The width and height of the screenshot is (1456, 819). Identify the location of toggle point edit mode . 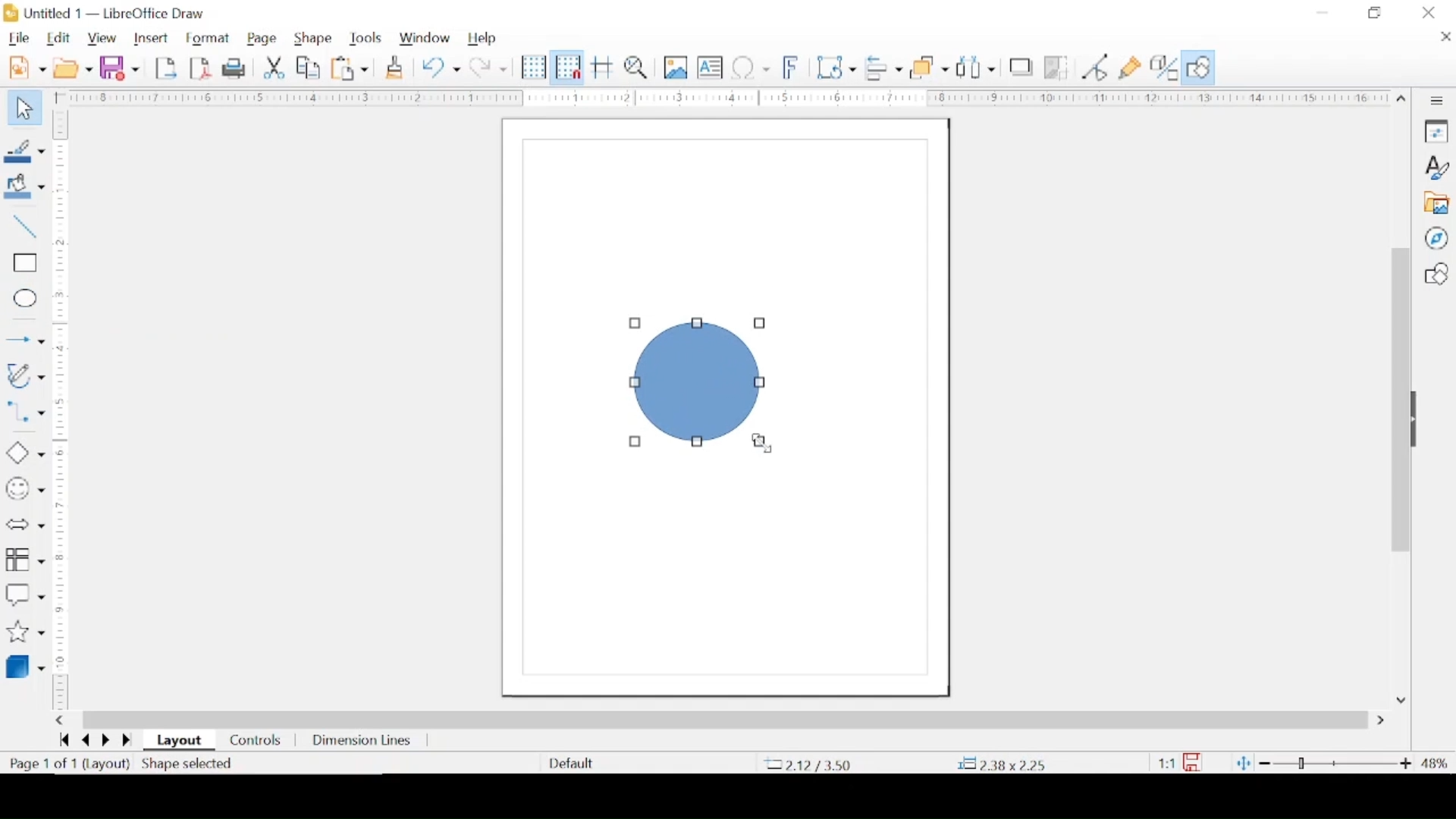
(1096, 67).